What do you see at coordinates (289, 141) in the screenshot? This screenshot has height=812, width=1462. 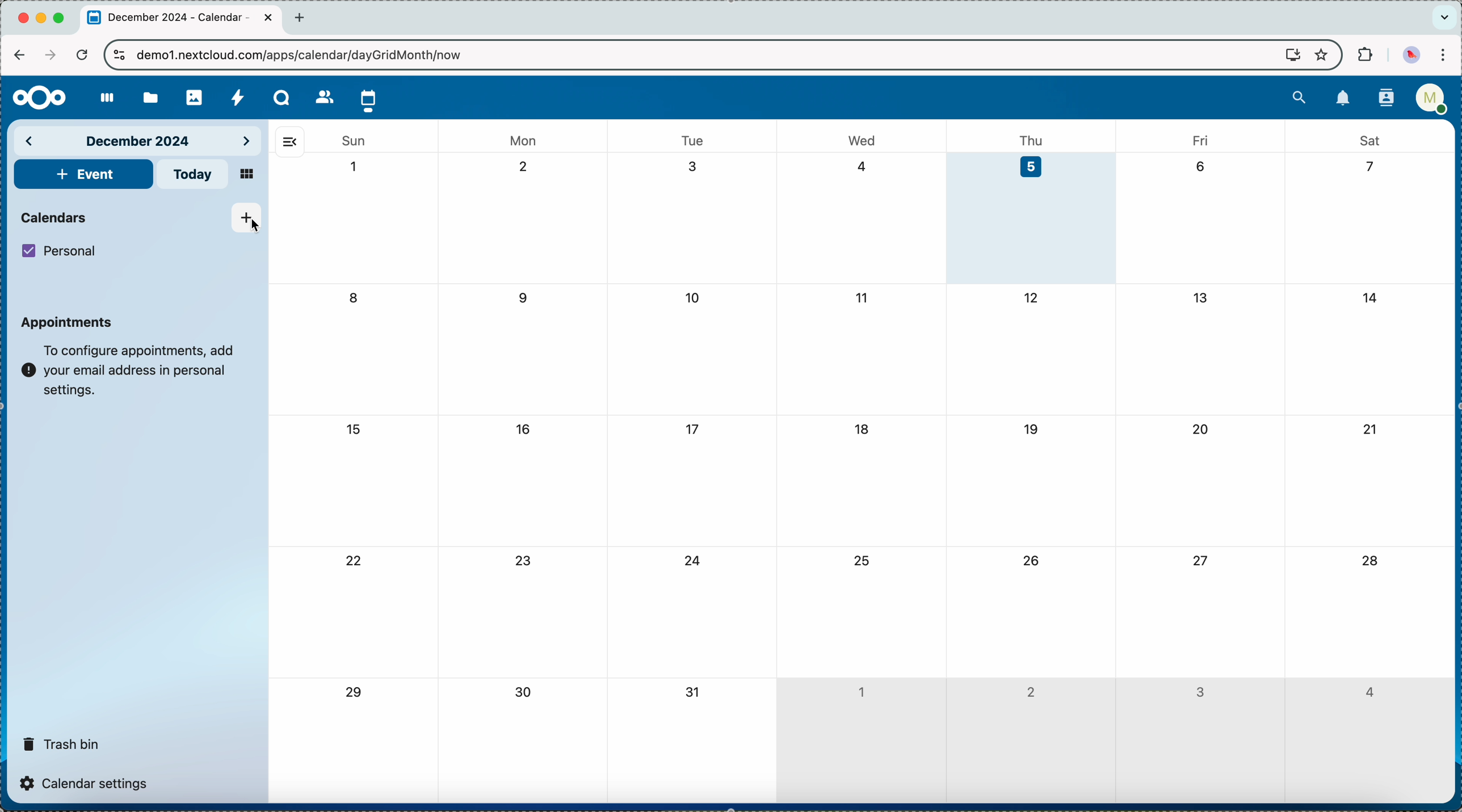 I see `hide side bar` at bounding box center [289, 141].